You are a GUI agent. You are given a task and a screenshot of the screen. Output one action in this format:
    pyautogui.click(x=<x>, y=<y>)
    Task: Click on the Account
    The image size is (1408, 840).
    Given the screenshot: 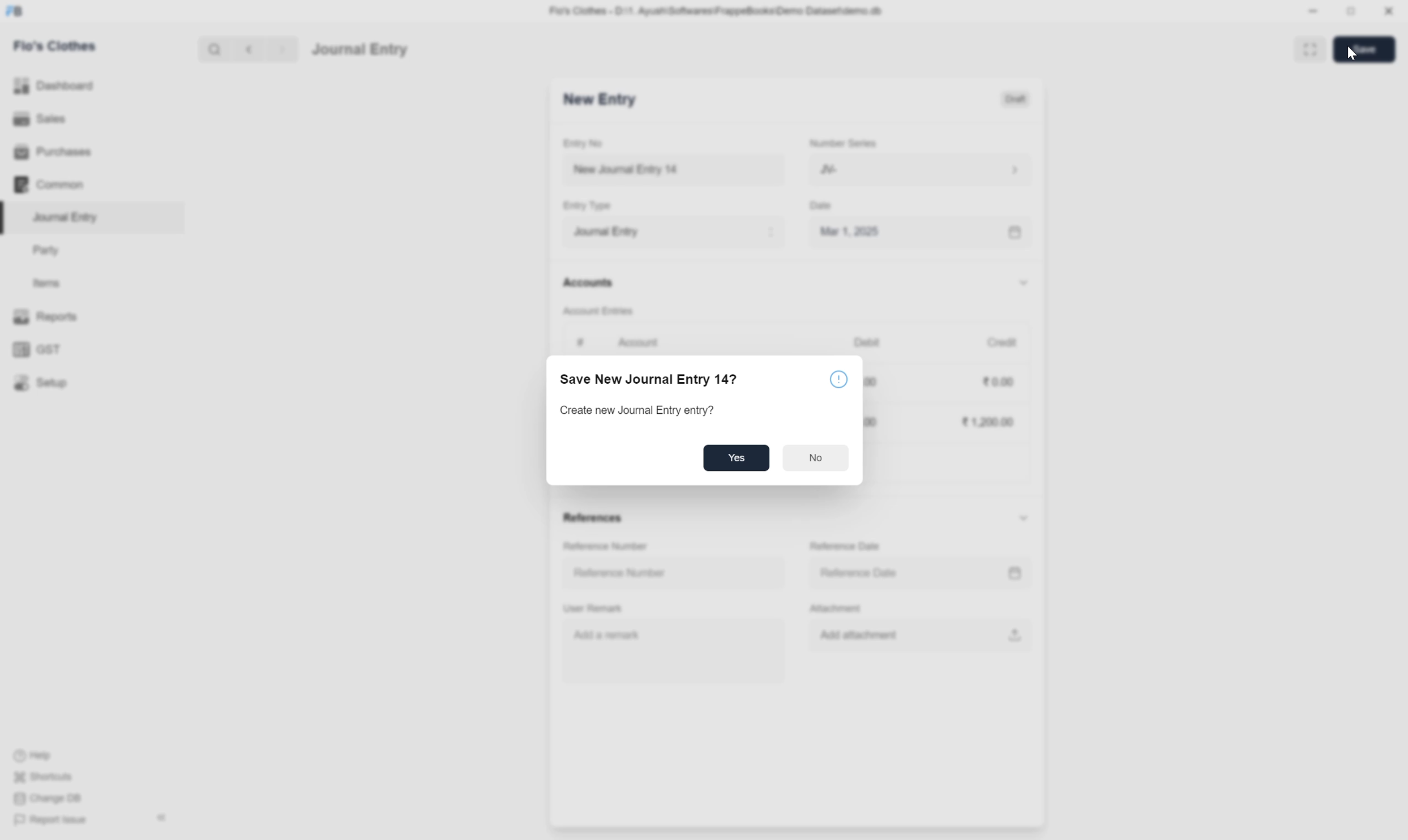 What is the action you would take?
    pyautogui.click(x=640, y=342)
    